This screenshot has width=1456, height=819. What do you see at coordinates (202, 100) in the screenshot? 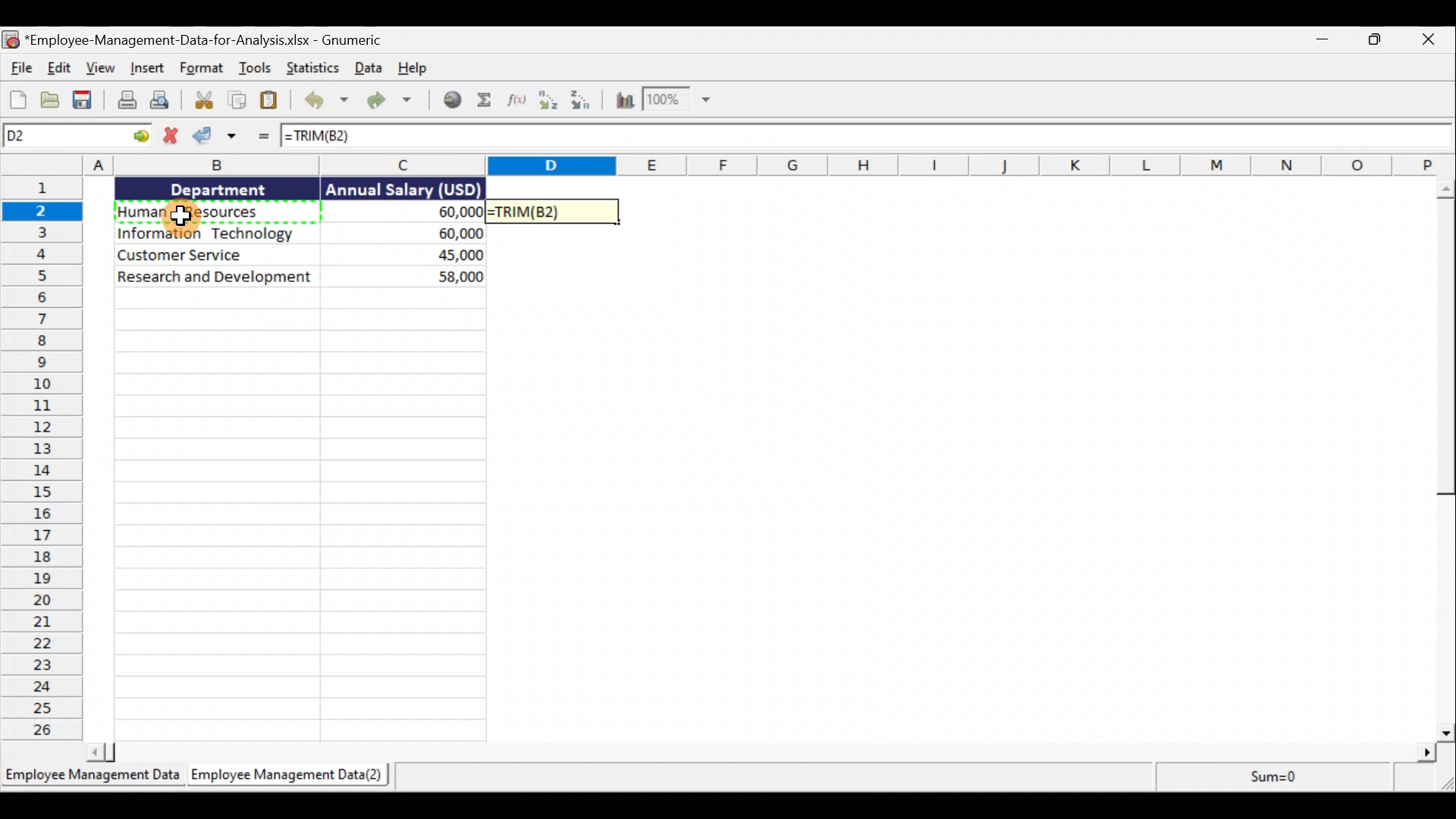
I see `Cut the selection` at bounding box center [202, 100].